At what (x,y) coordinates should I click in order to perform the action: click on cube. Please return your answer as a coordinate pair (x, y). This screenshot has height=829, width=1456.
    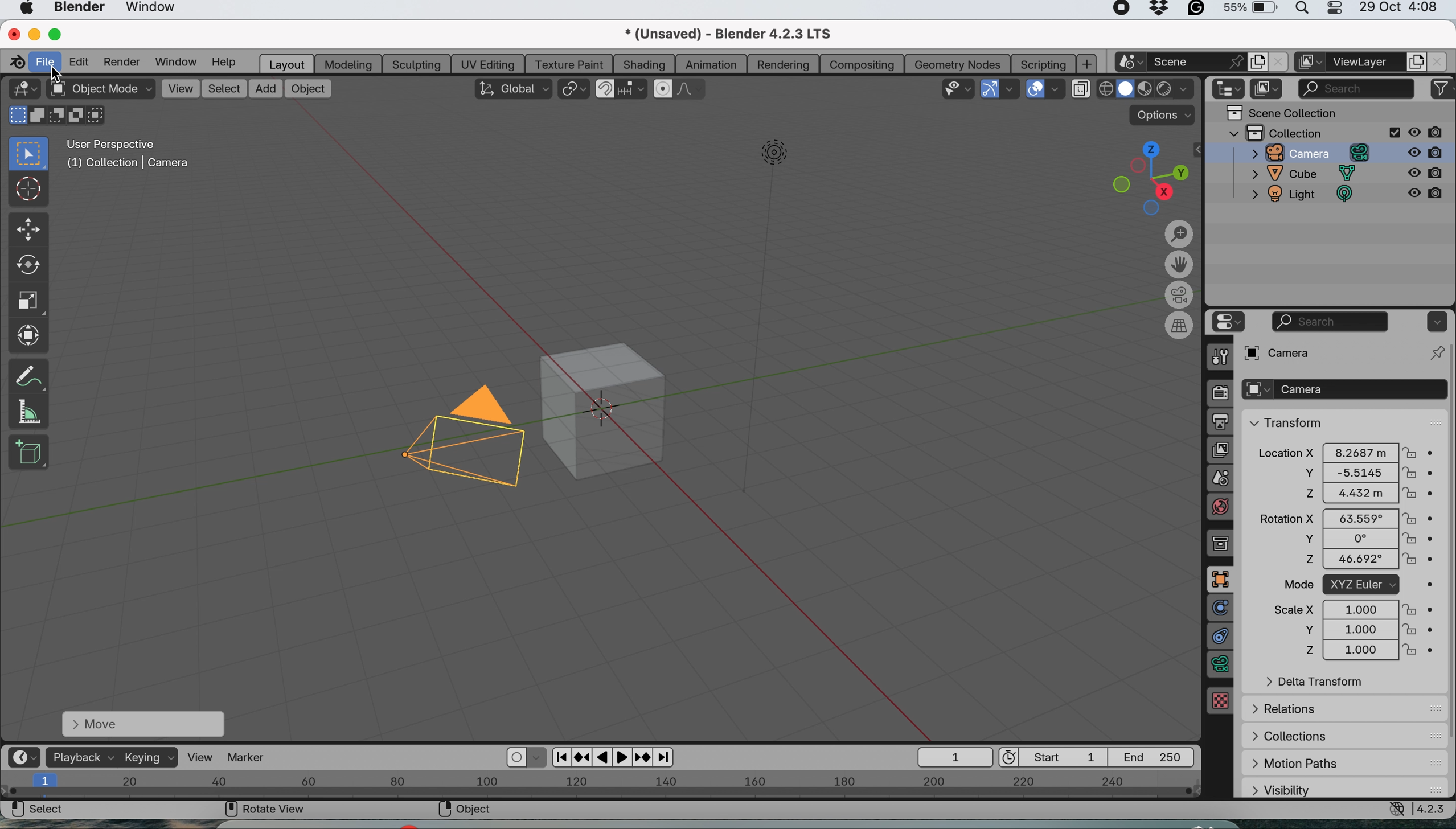
    Looking at the image, I should click on (1305, 174).